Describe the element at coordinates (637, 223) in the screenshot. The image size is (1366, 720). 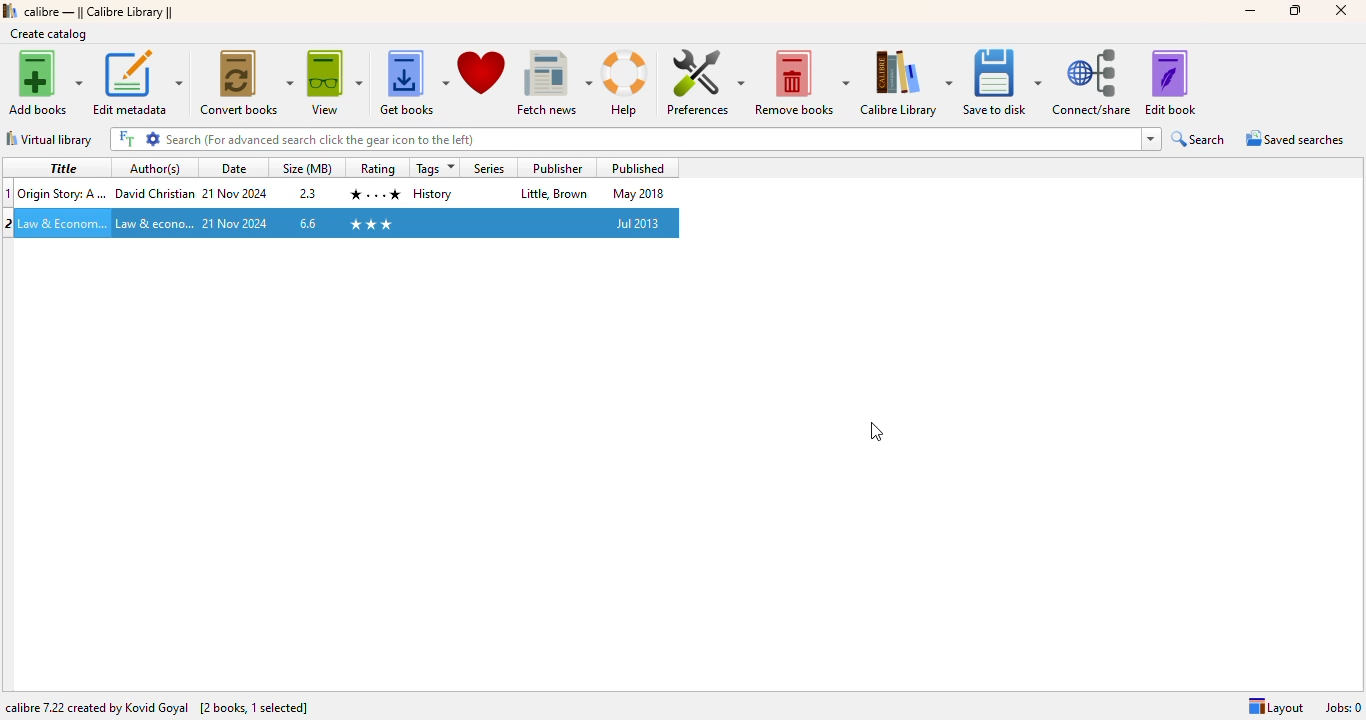
I see `published` at that location.